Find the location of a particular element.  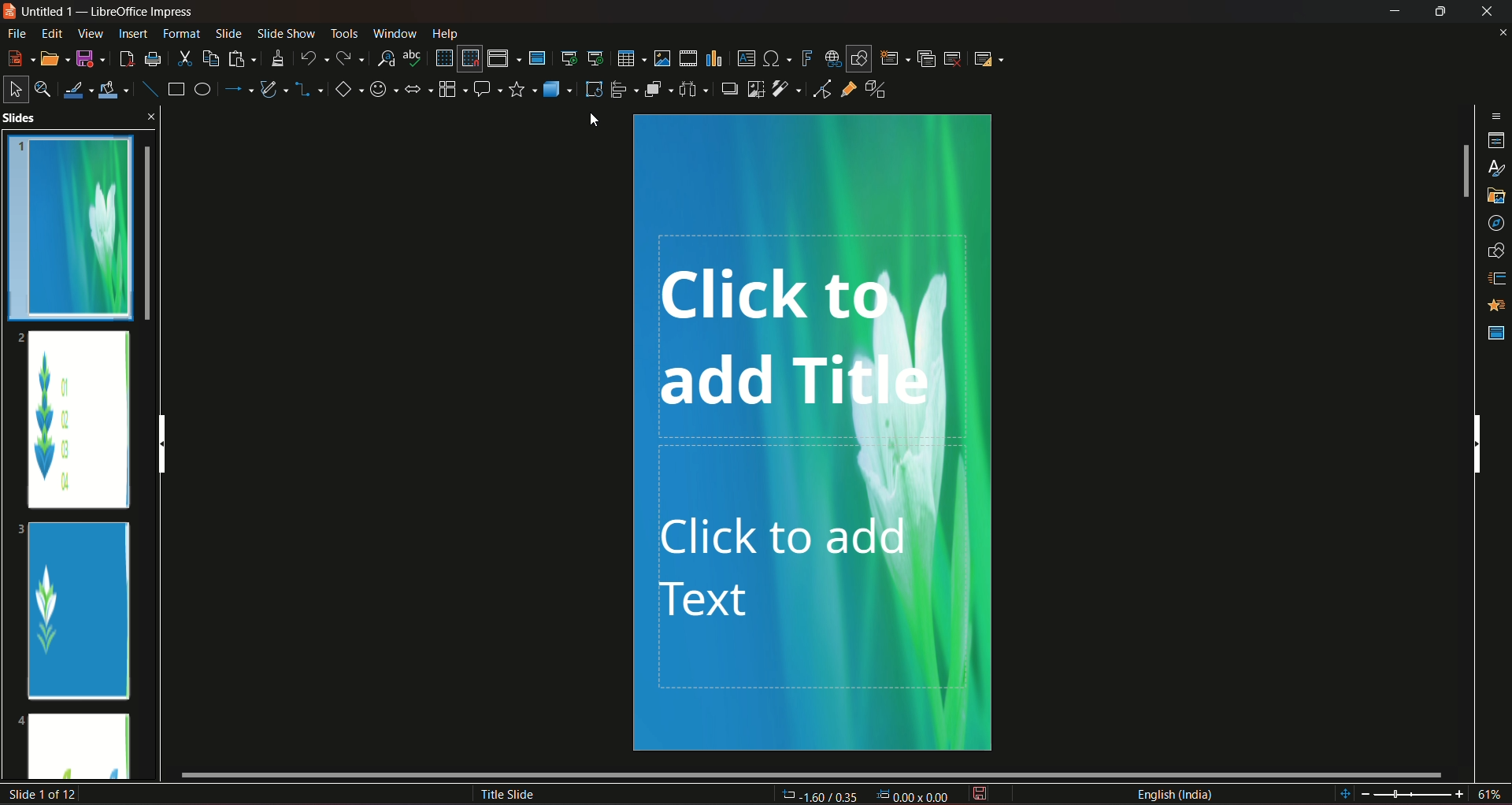

close is located at coordinates (1487, 12).